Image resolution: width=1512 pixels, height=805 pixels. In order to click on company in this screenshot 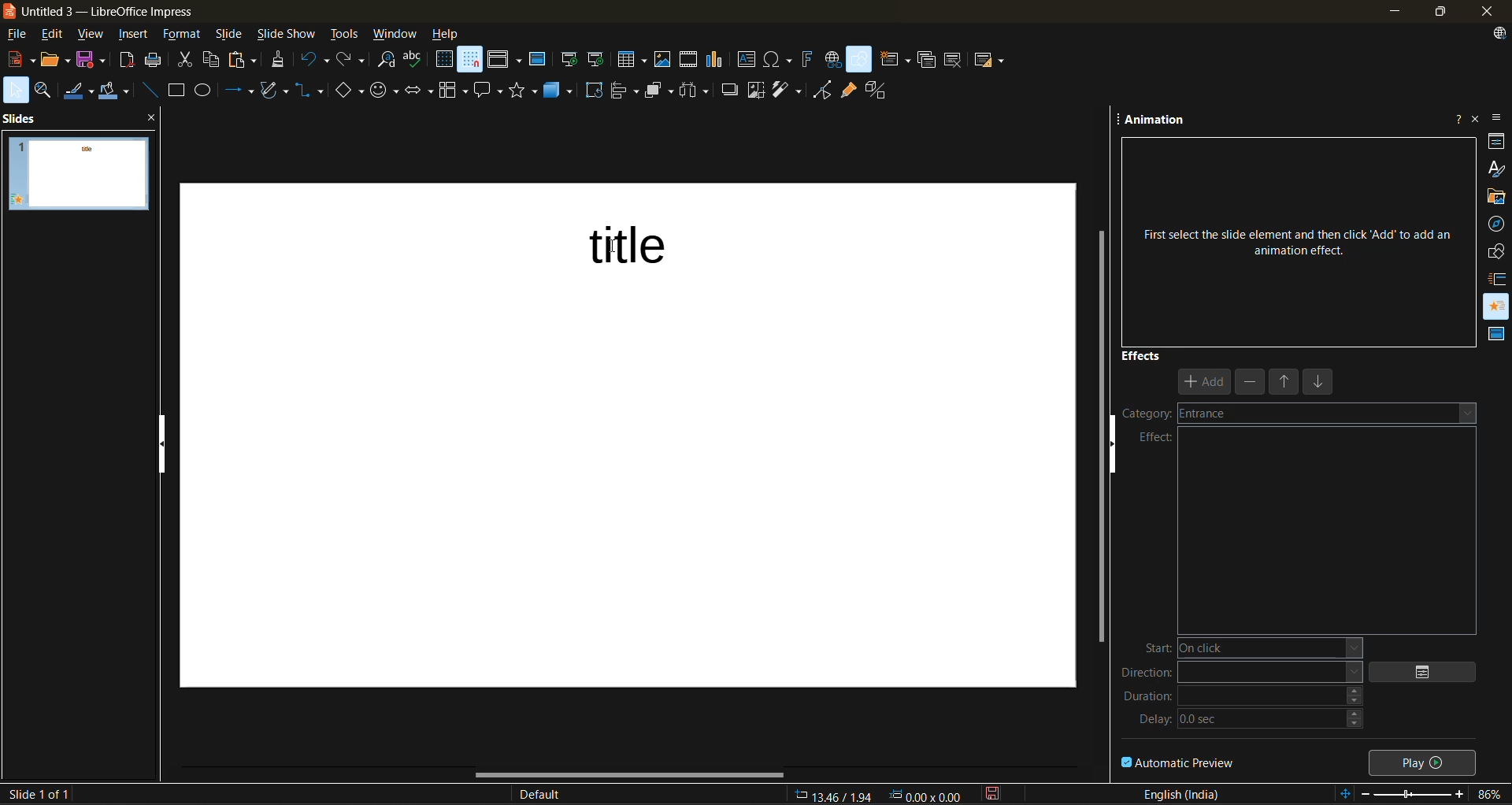, I will do `click(1297, 413)`.